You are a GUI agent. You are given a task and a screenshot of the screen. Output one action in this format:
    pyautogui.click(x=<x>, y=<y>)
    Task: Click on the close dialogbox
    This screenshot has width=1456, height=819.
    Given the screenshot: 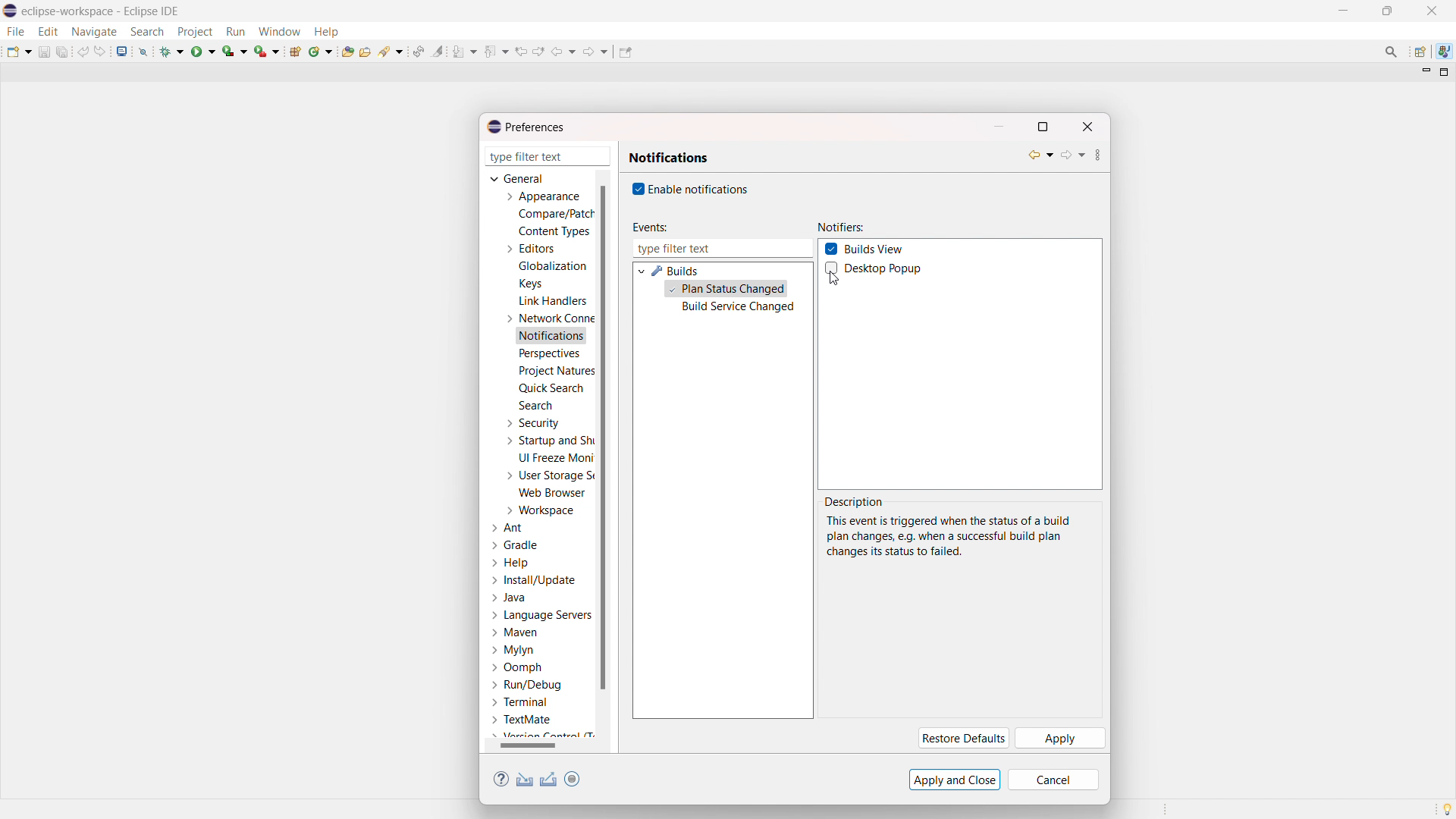 What is the action you would take?
    pyautogui.click(x=1087, y=127)
    